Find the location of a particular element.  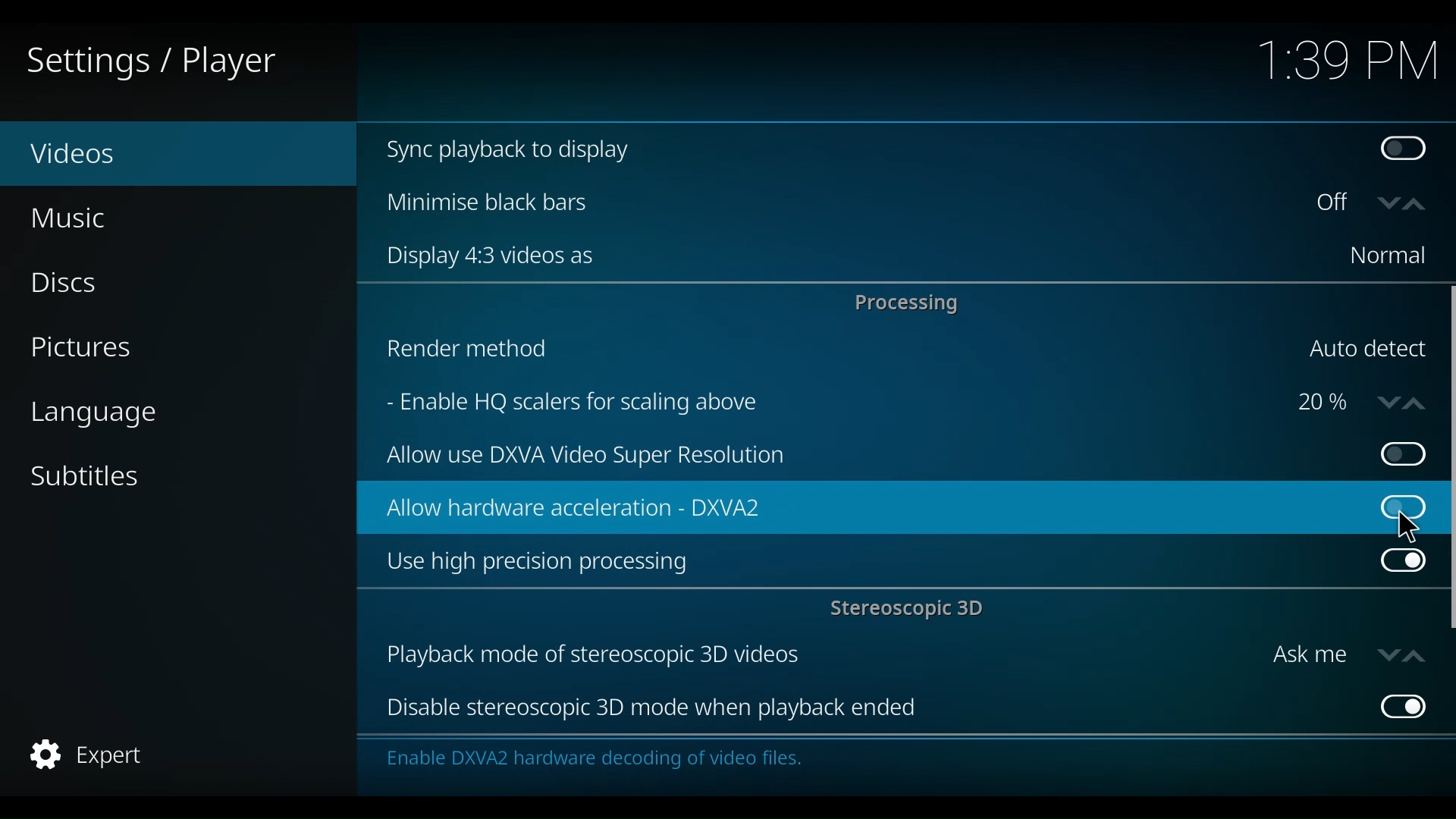

Toggle Sync playback to display is located at coordinates (1407, 151).